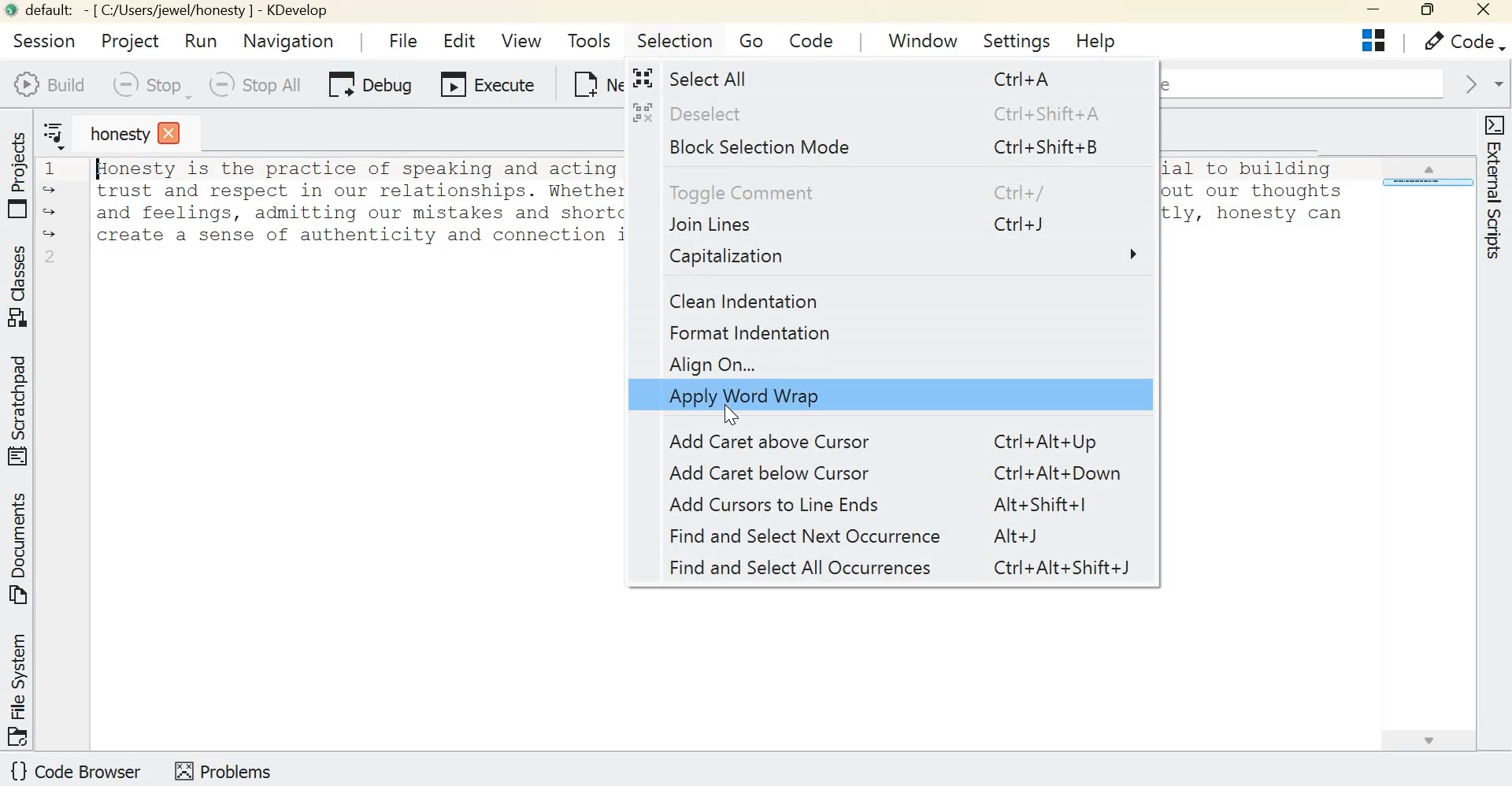  Describe the element at coordinates (904, 256) in the screenshot. I see `Capitalization` at that location.